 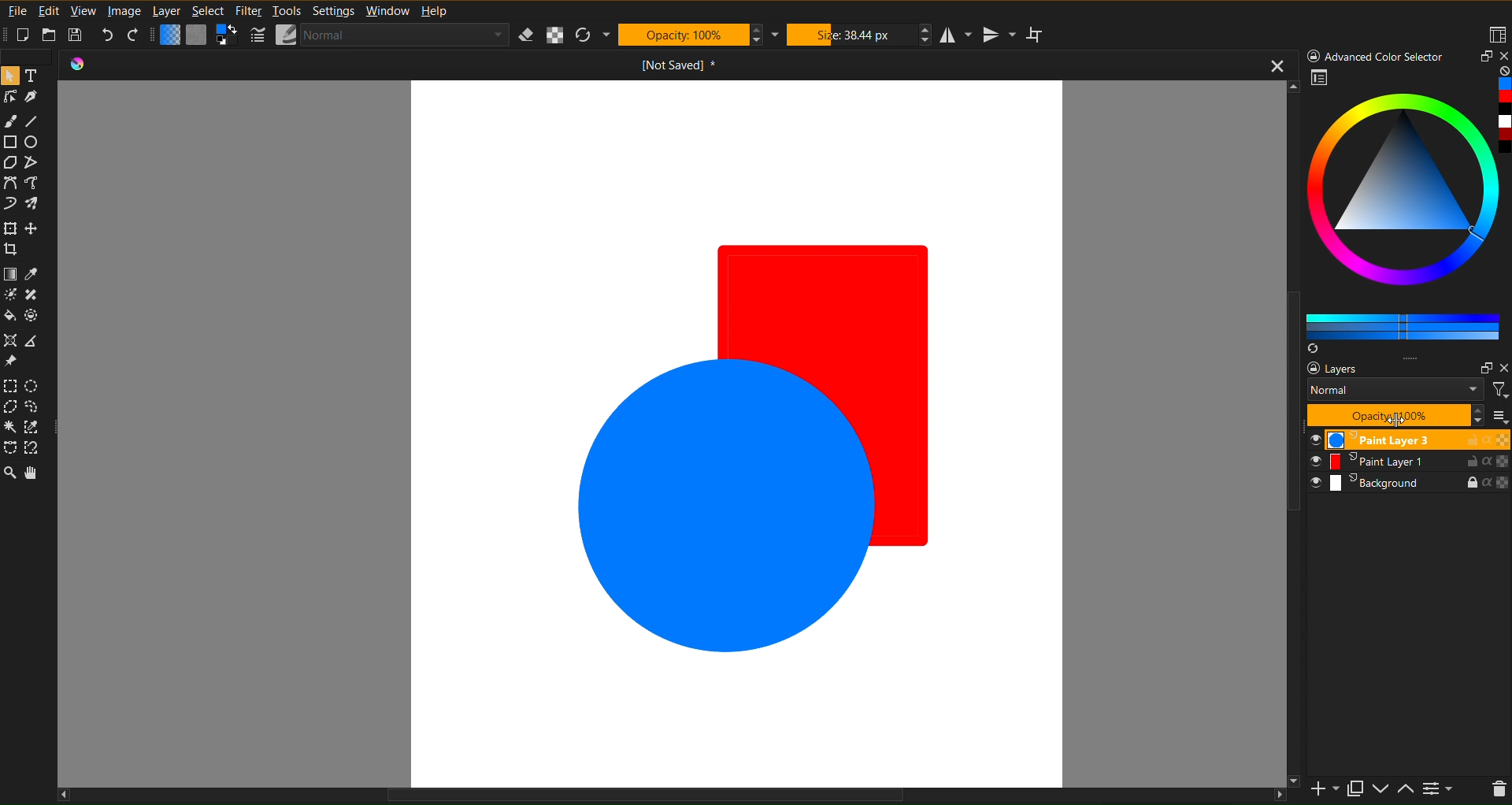 I want to click on Horizontal Mirror, so click(x=955, y=33).